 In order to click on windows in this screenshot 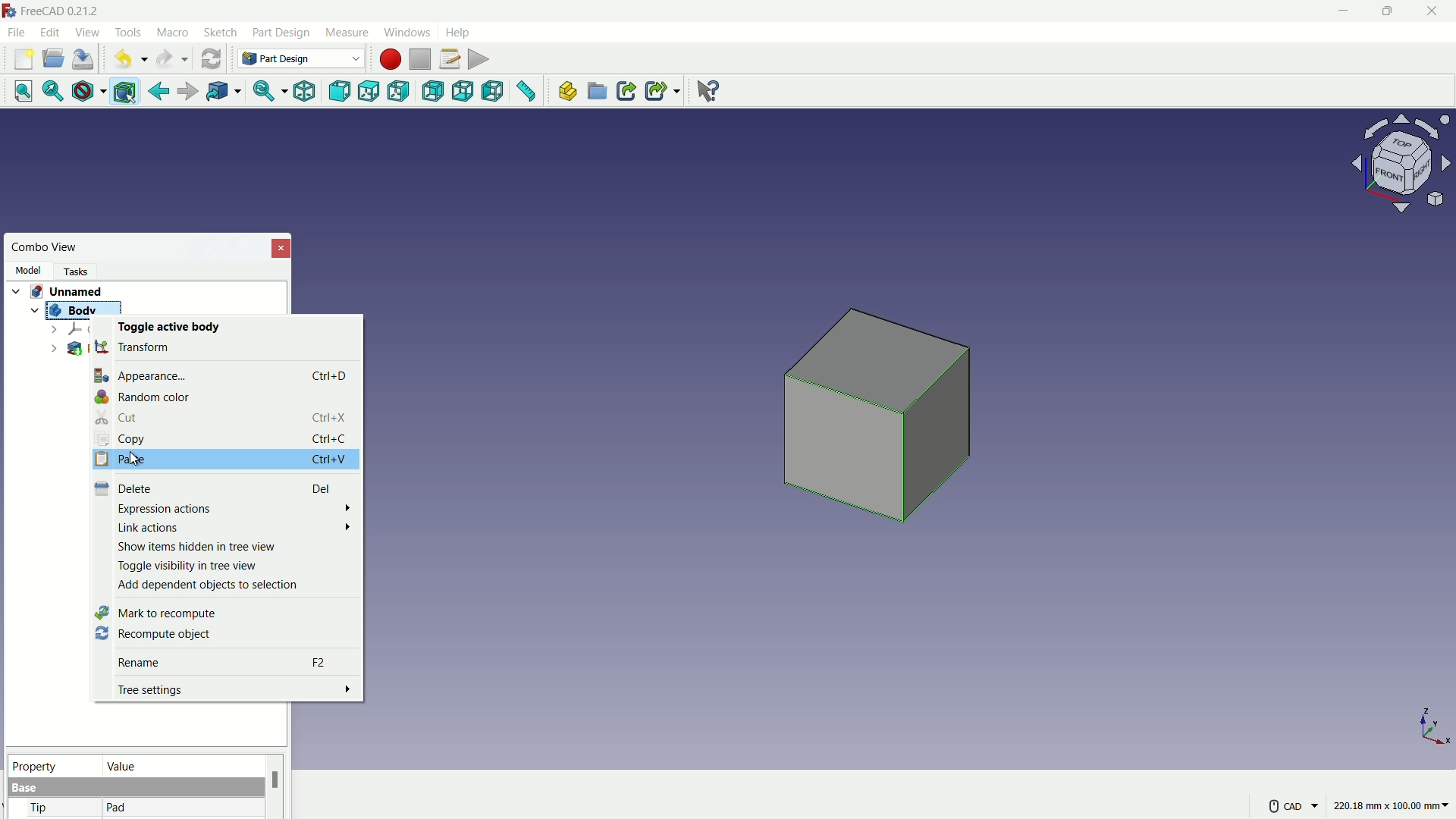, I will do `click(406, 32)`.